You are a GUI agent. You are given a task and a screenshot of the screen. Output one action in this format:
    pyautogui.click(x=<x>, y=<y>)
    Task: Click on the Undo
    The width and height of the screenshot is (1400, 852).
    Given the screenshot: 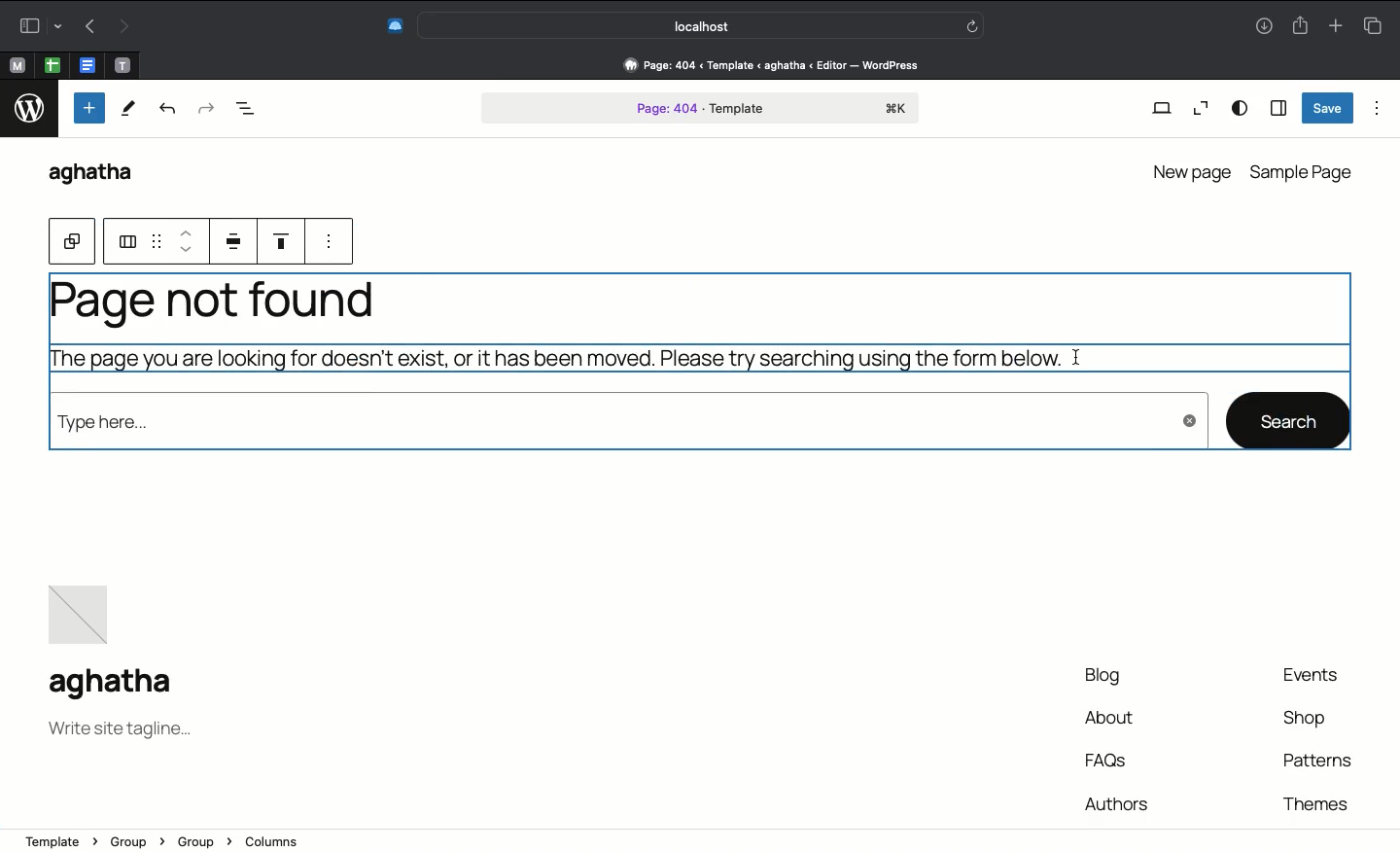 What is the action you would take?
    pyautogui.click(x=169, y=112)
    